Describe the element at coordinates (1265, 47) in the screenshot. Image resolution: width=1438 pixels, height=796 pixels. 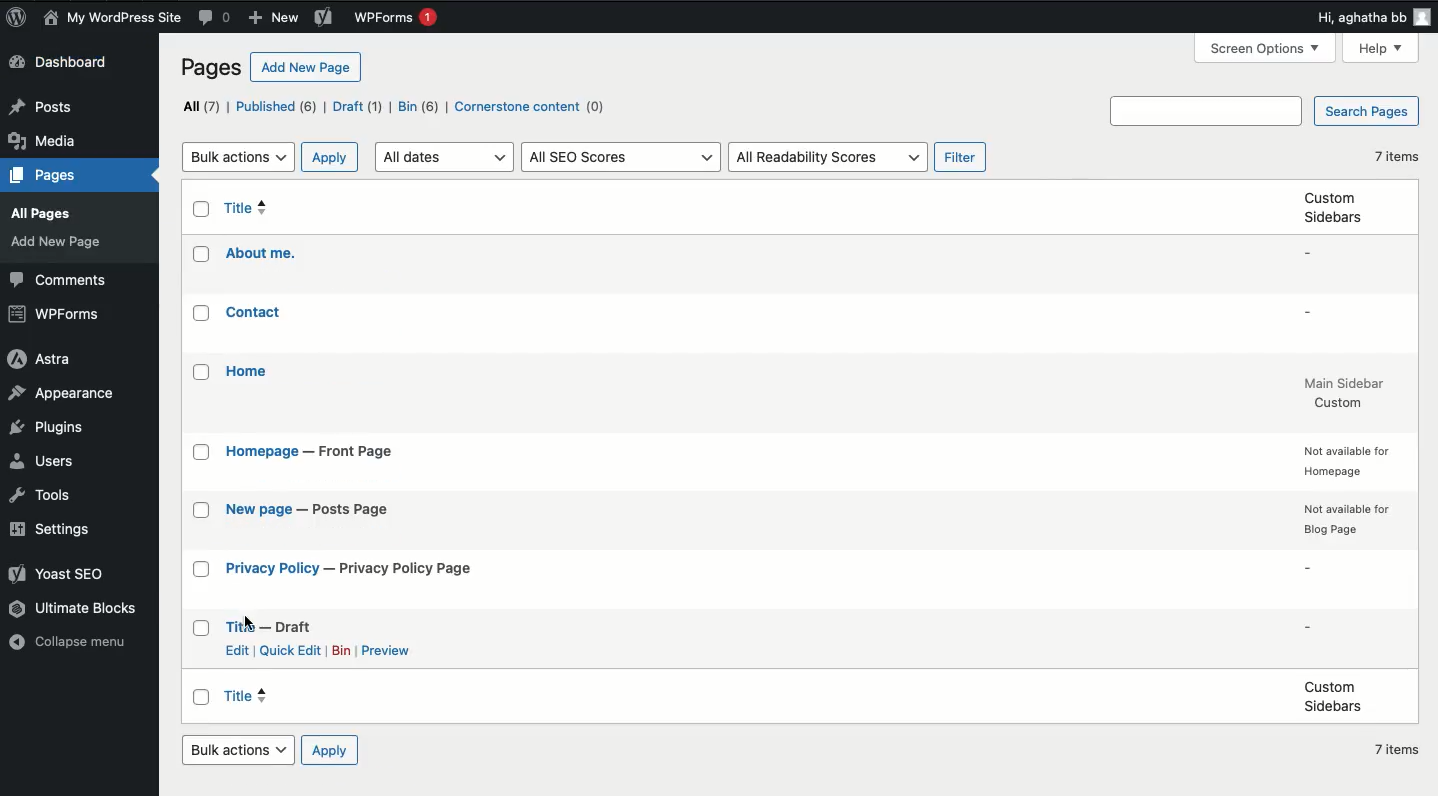
I see `Screen options` at that location.